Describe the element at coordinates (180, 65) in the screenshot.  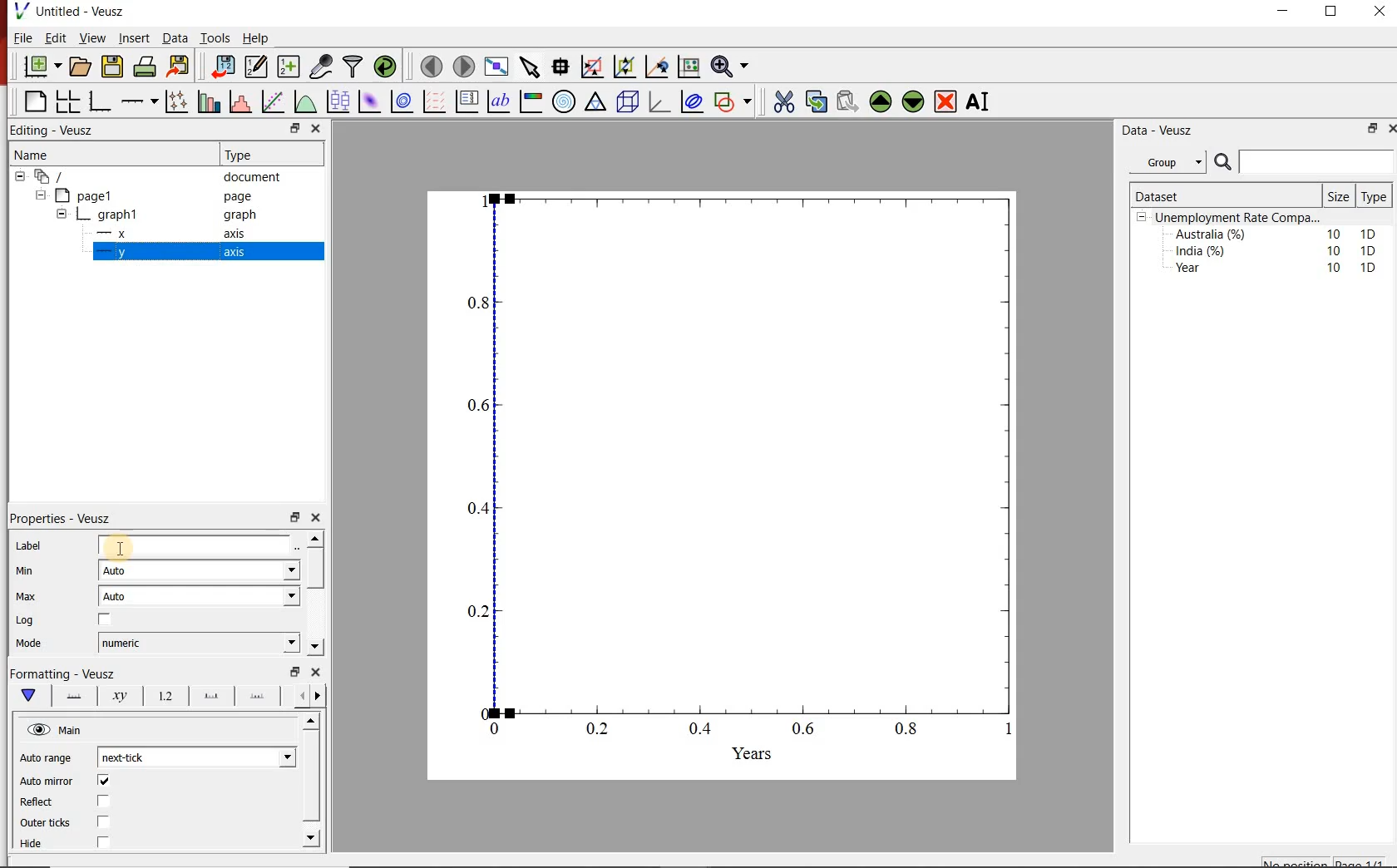
I see `export document` at that location.